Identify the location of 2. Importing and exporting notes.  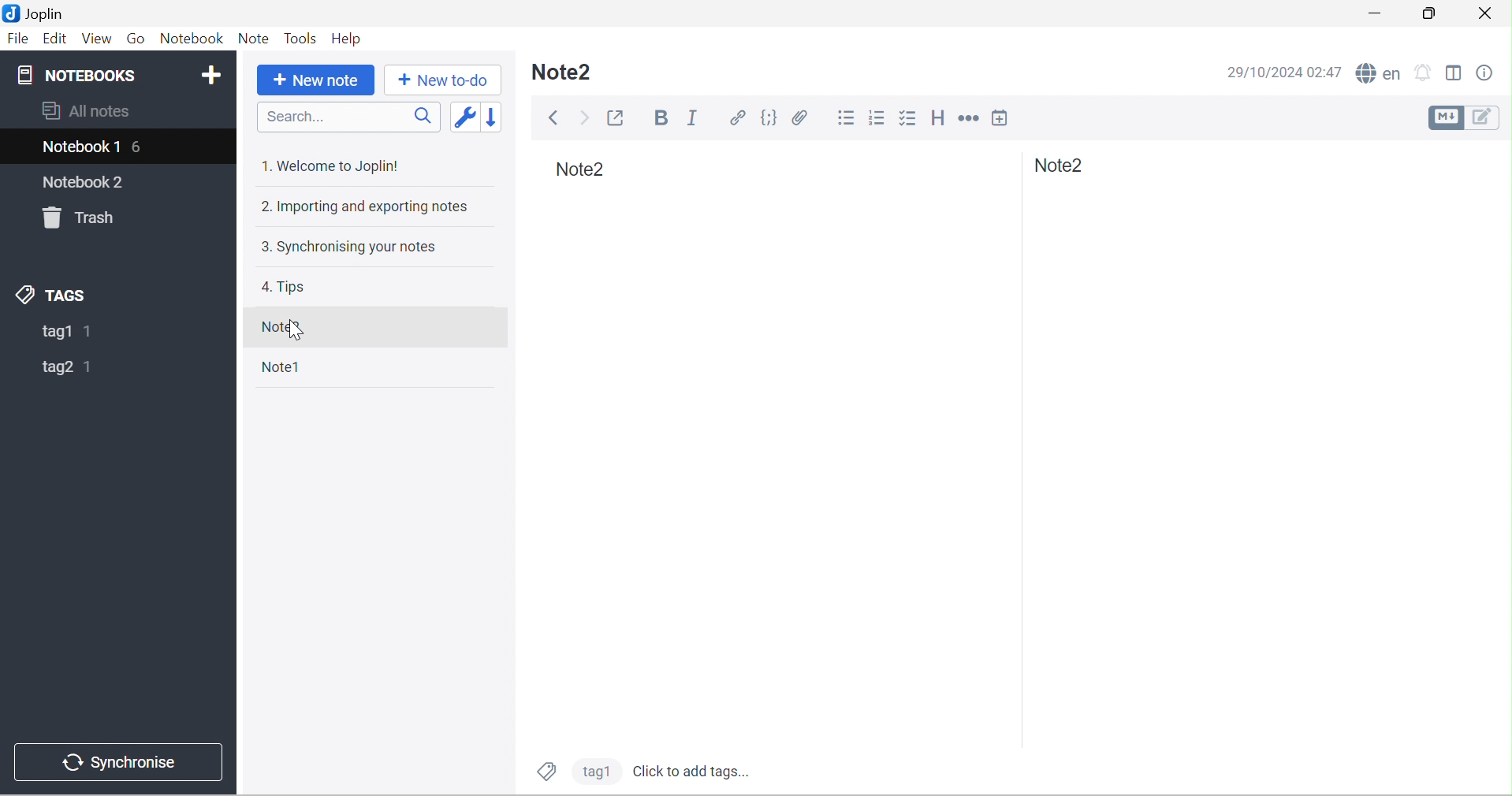
(363, 208).